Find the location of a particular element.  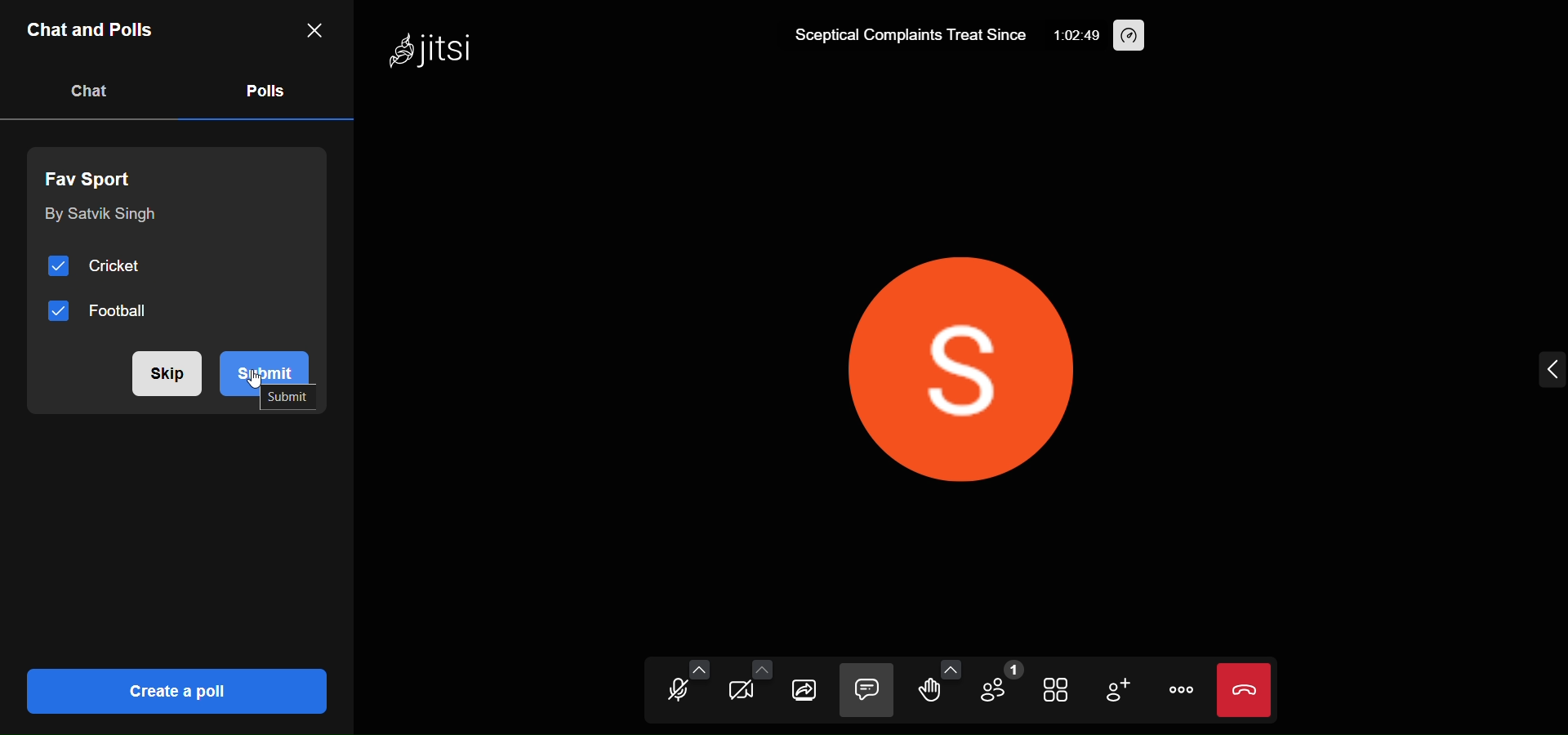

Football is located at coordinates (102, 312).